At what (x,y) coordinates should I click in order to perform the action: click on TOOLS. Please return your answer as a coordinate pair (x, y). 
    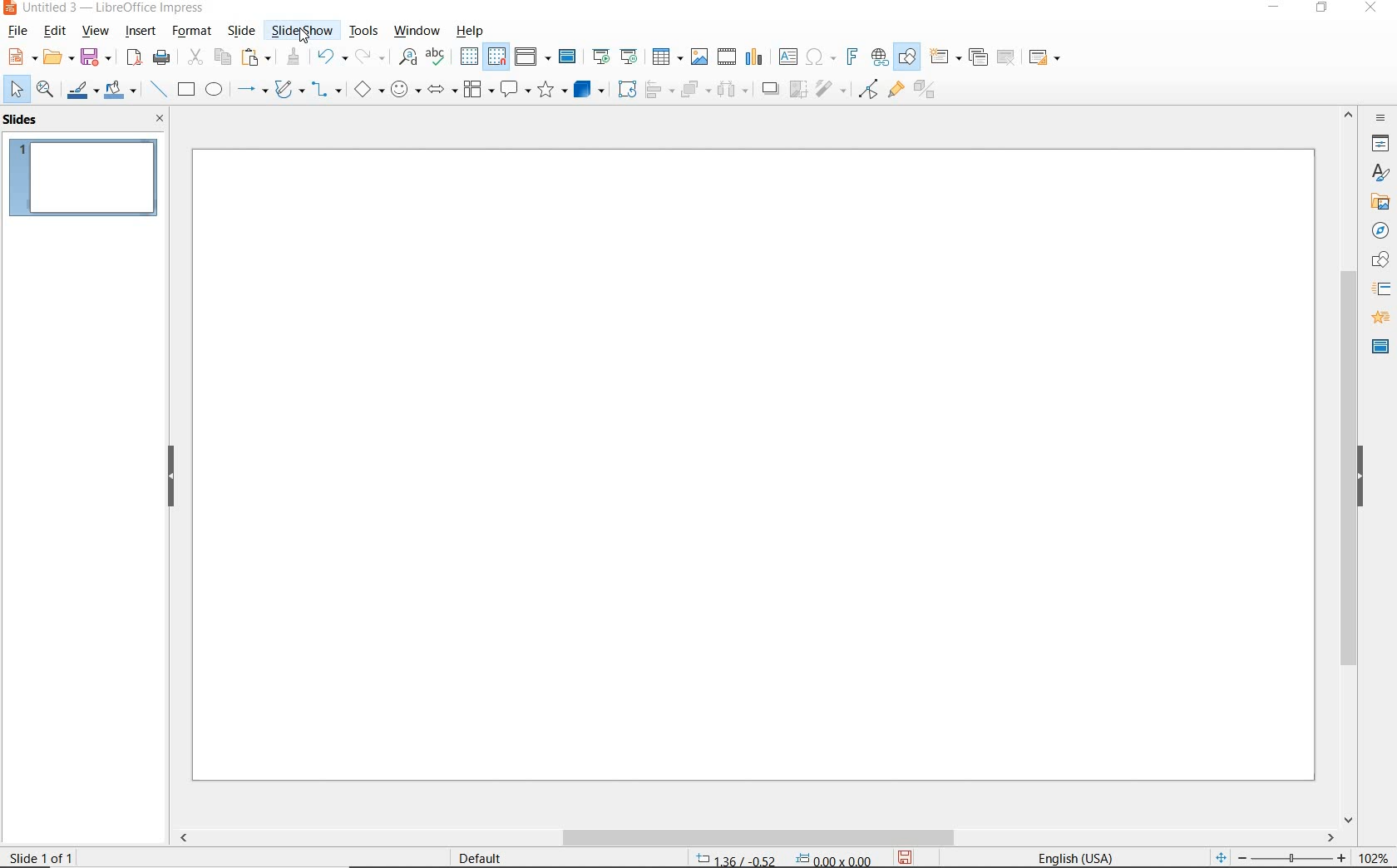
    Looking at the image, I should click on (364, 30).